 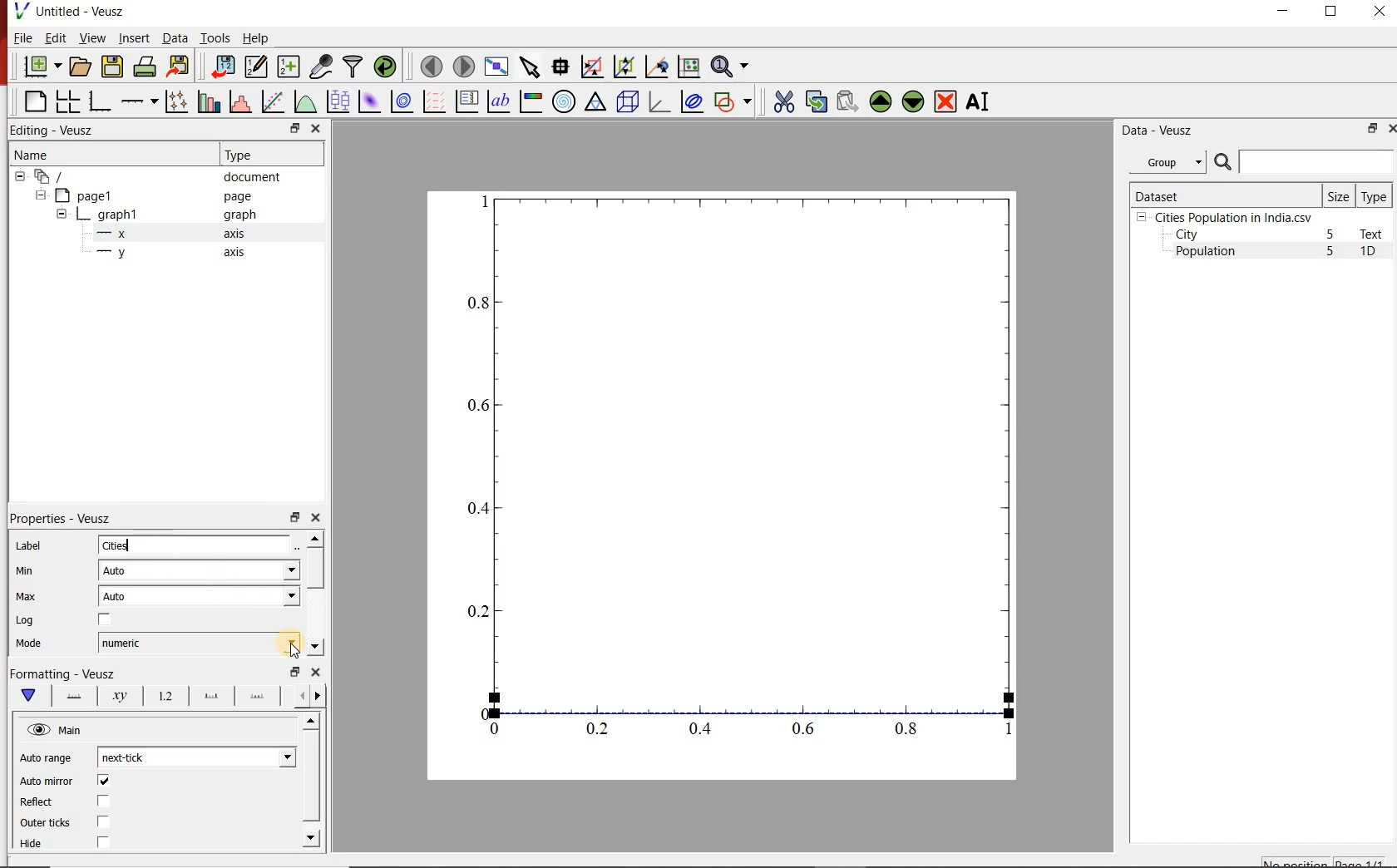 I want to click on text label, so click(x=498, y=101).